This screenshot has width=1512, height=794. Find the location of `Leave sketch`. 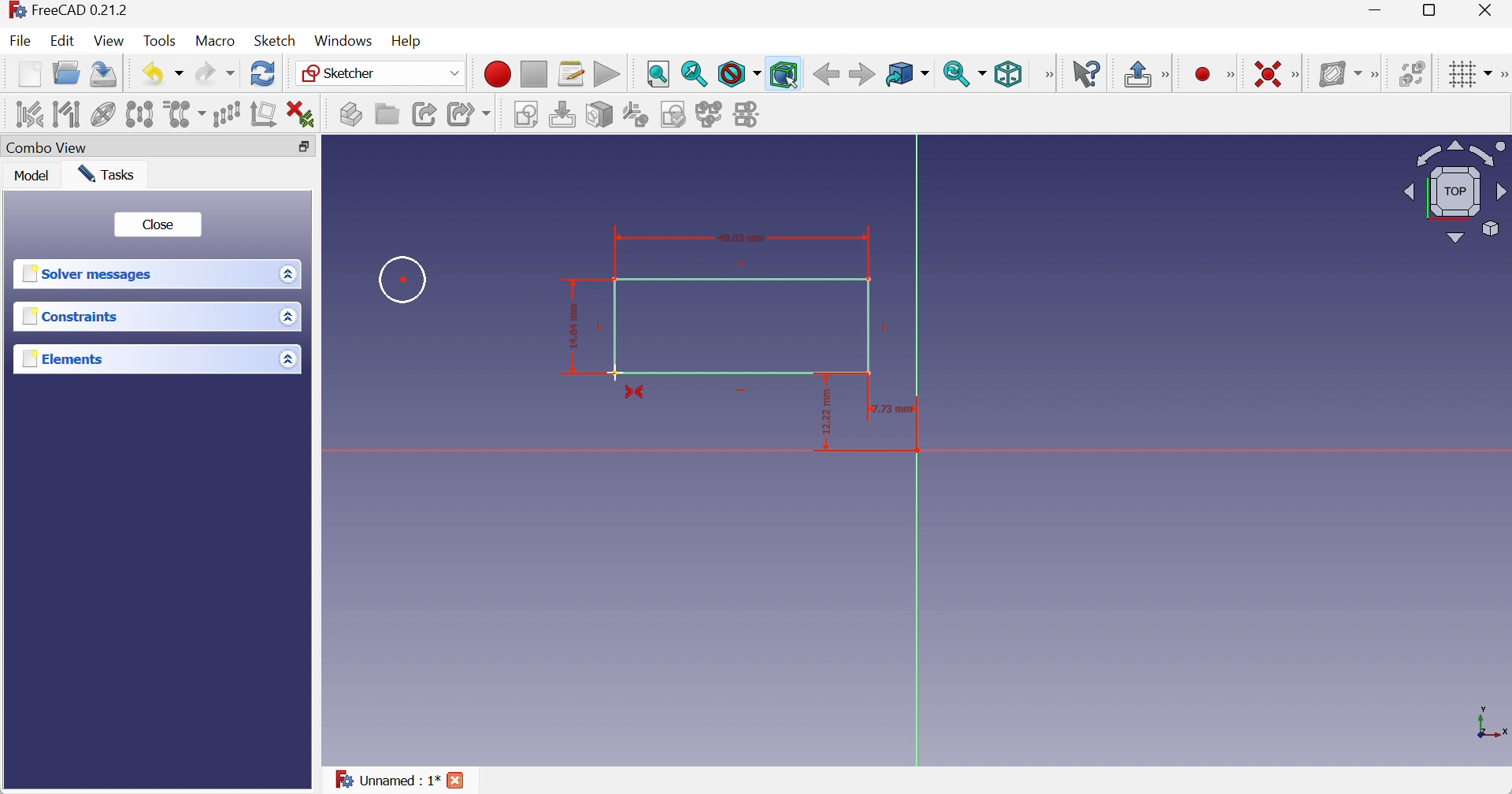

Leave sketch is located at coordinates (1138, 75).